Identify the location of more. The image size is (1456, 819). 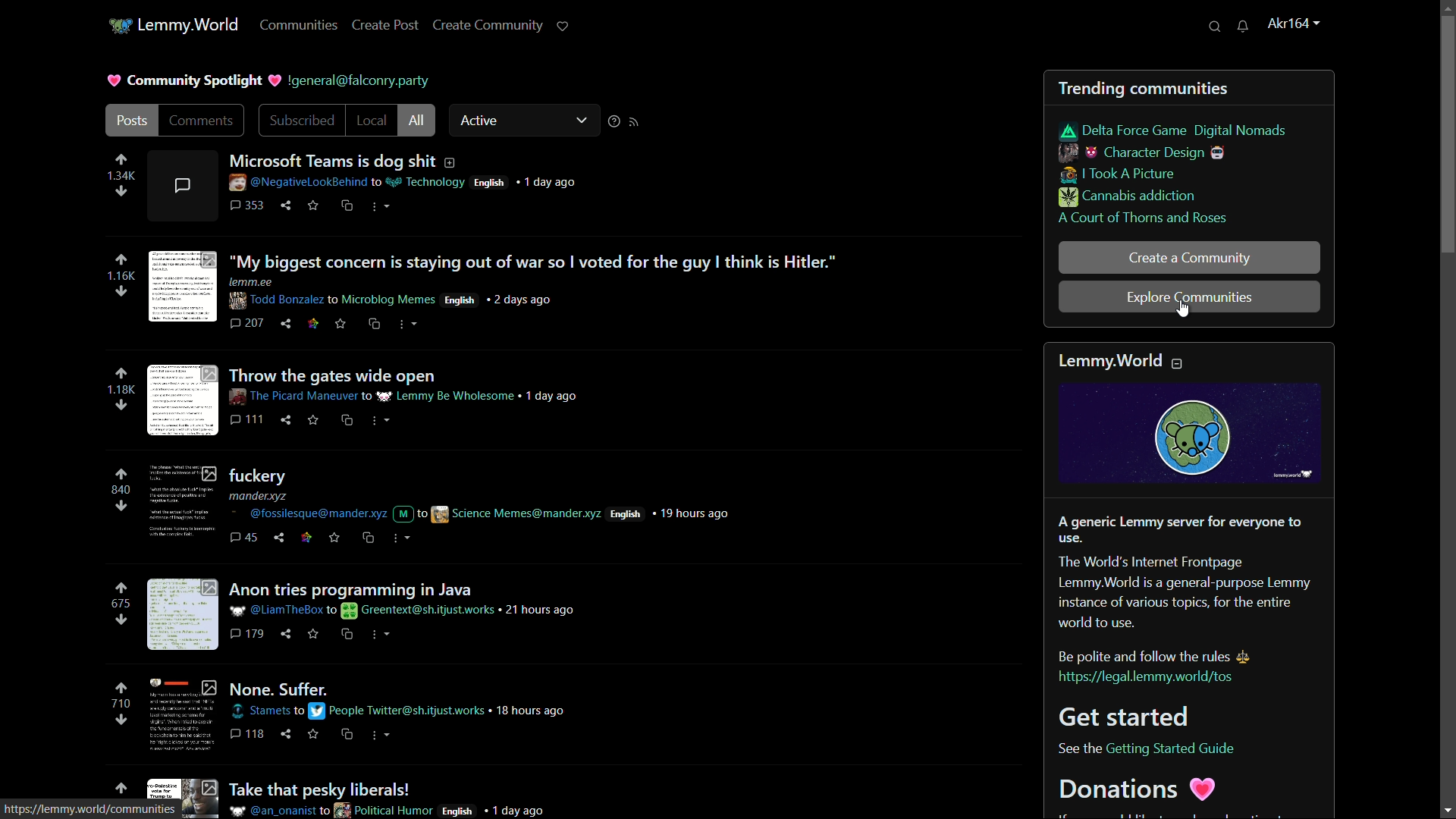
(405, 324).